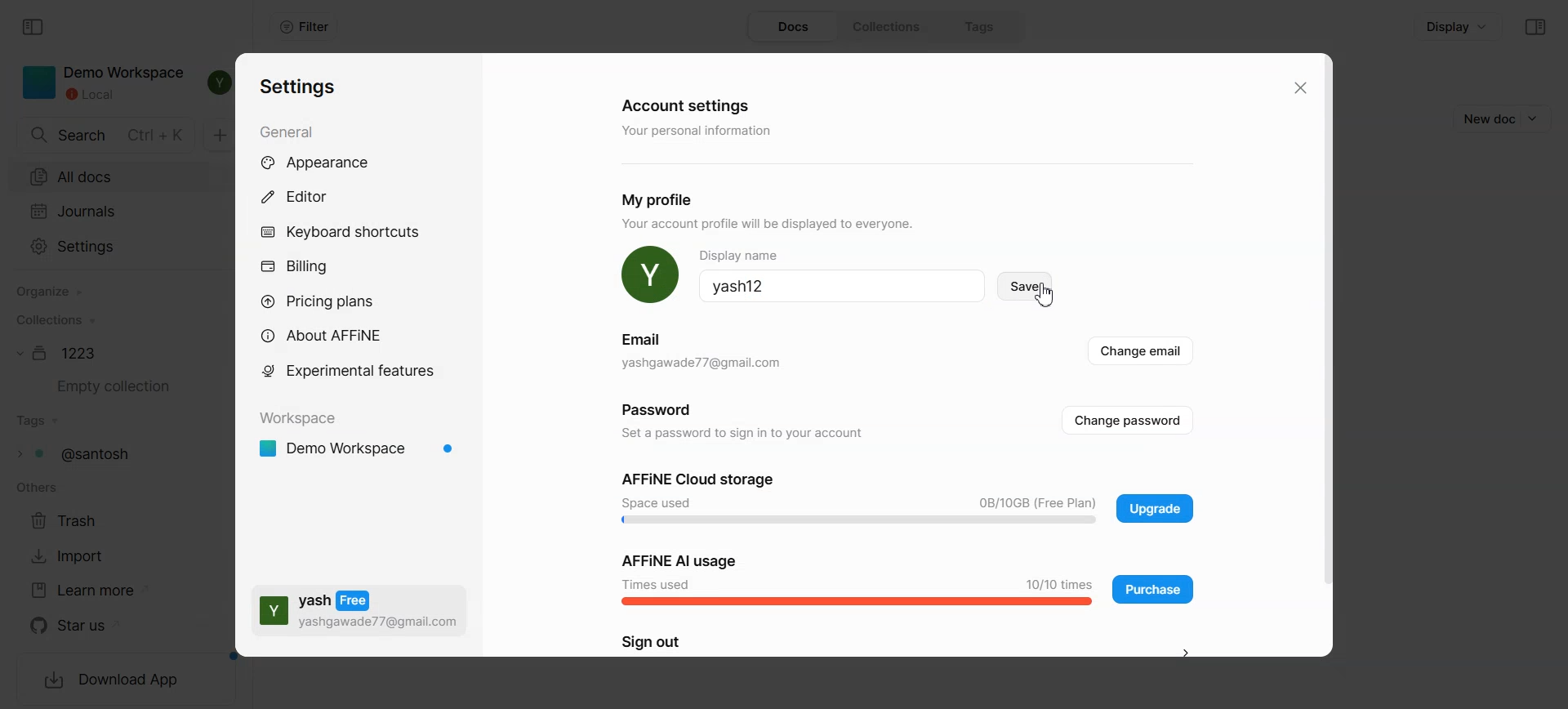  What do you see at coordinates (911, 644) in the screenshot?
I see `Sign out ` at bounding box center [911, 644].